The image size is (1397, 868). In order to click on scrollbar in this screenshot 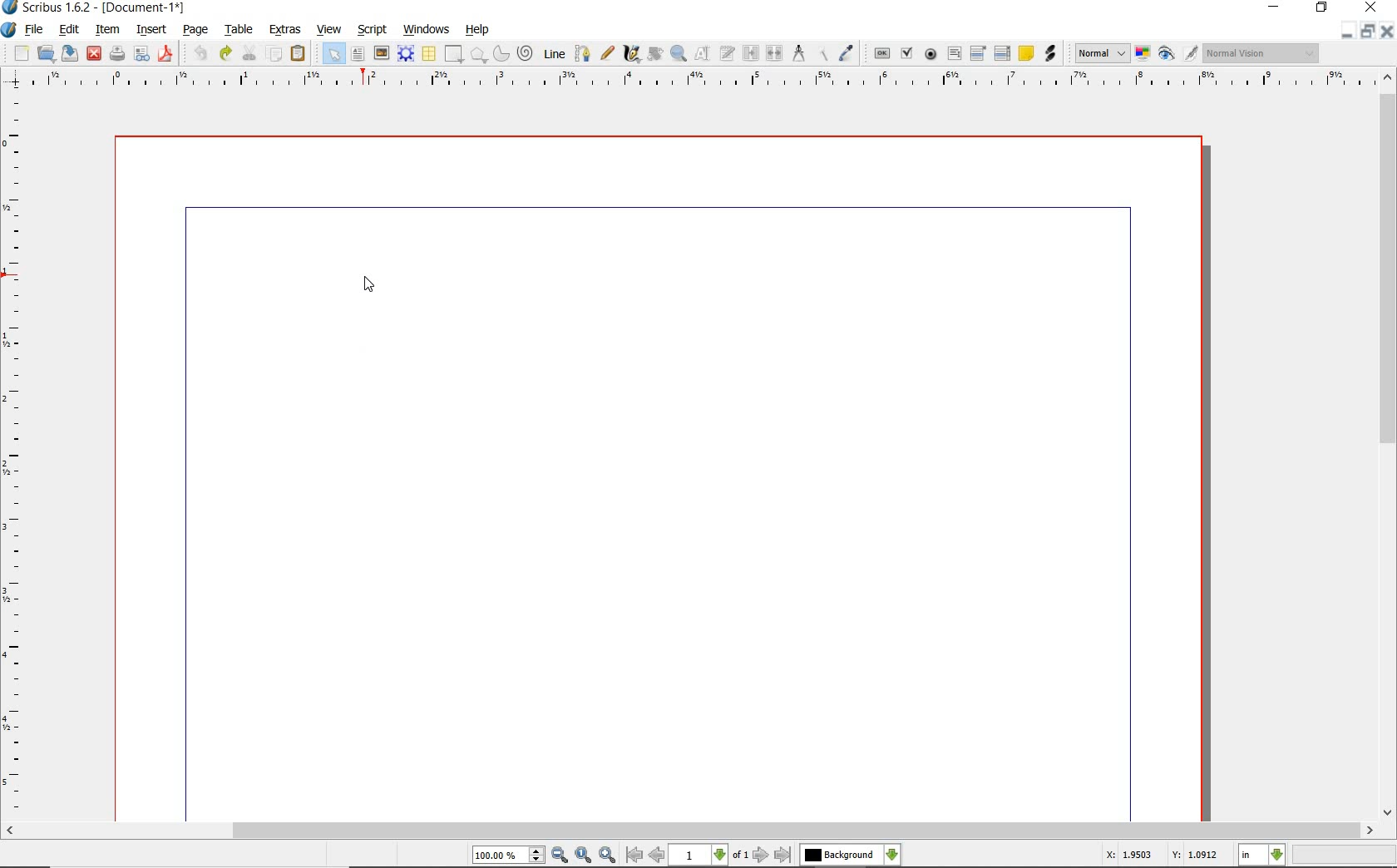, I will do `click(691, 831)`.